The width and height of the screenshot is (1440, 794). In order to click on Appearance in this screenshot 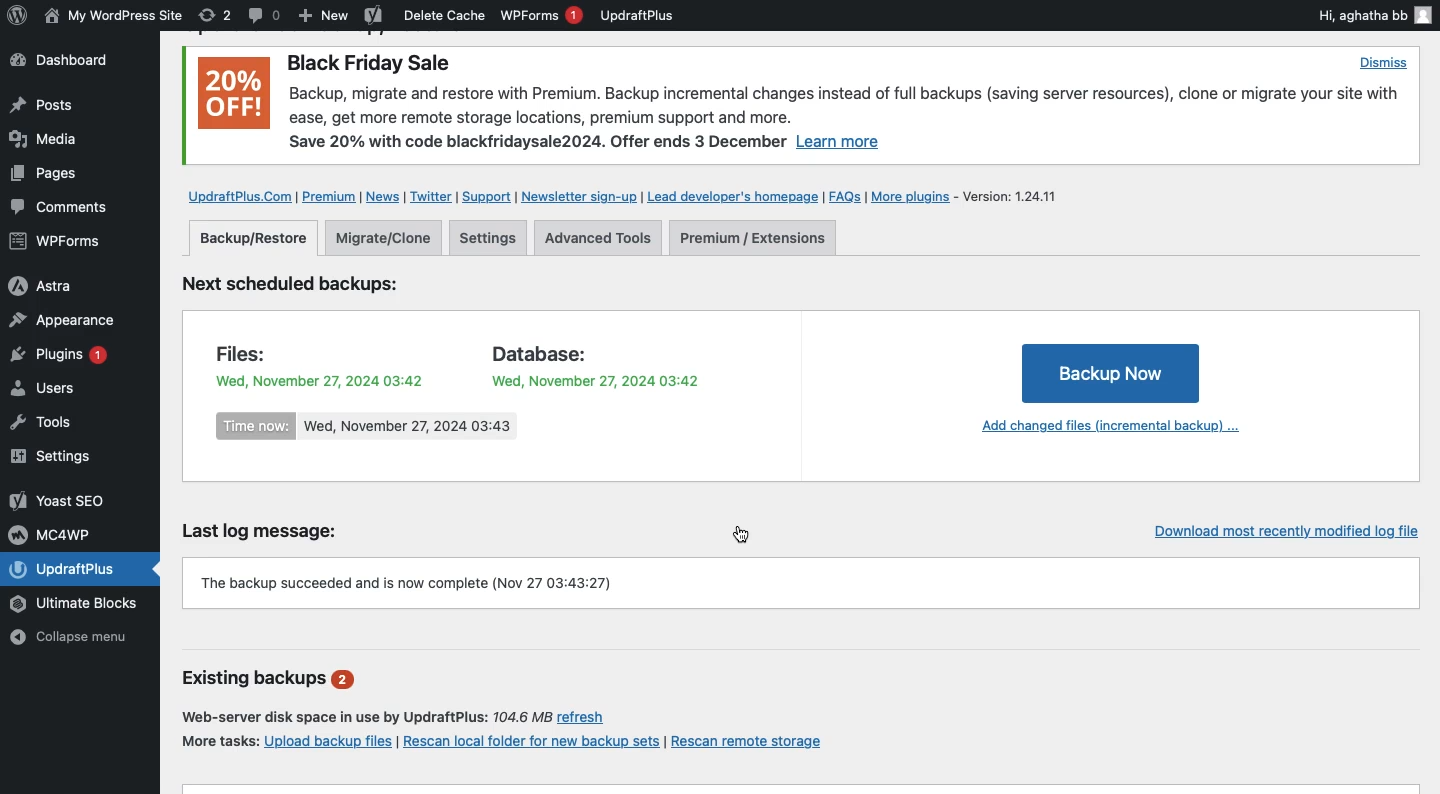, I will do `click(62, 319)`.